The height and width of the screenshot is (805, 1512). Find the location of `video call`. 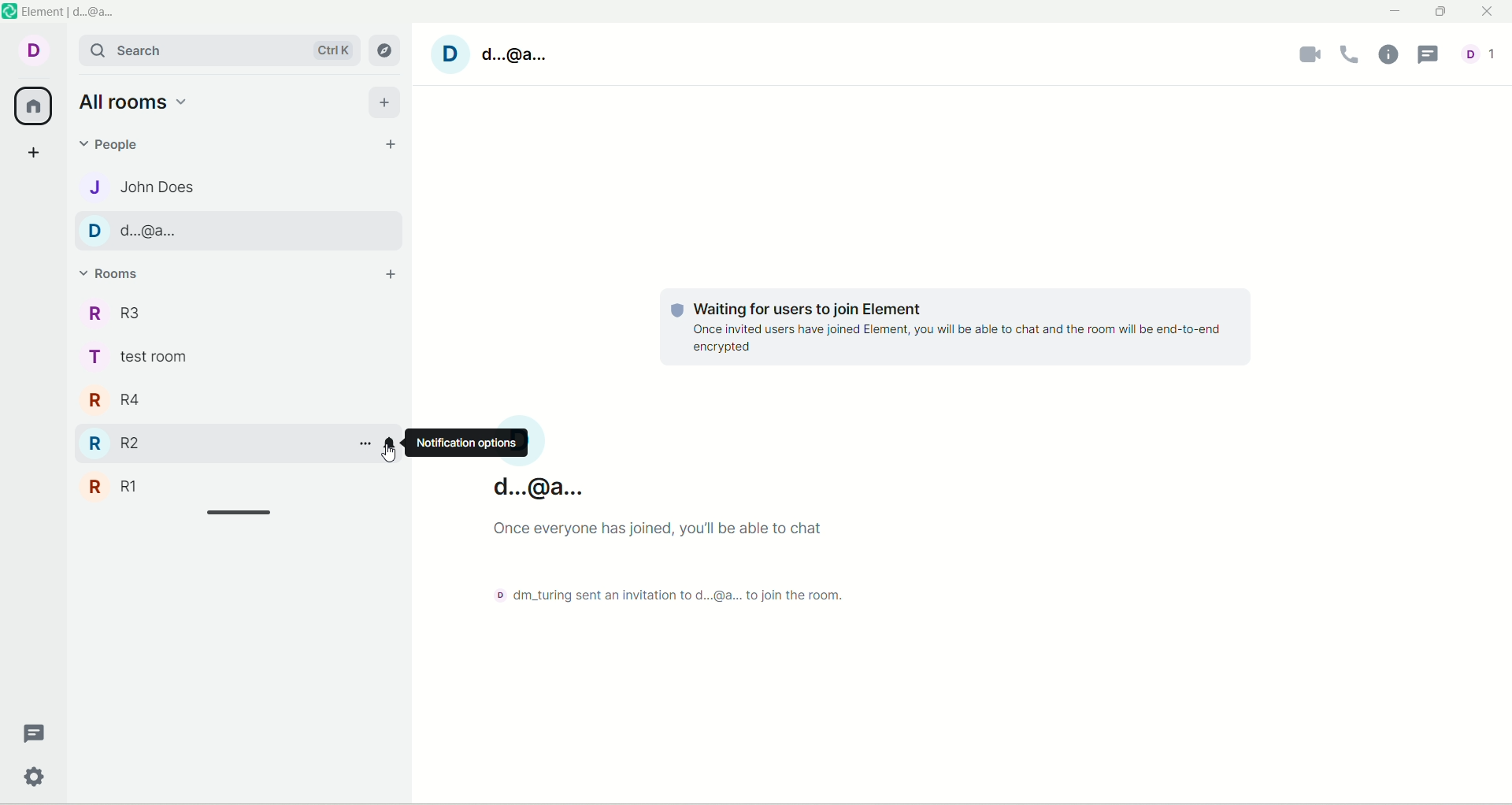

video call is located at coordinates (1310, 54).